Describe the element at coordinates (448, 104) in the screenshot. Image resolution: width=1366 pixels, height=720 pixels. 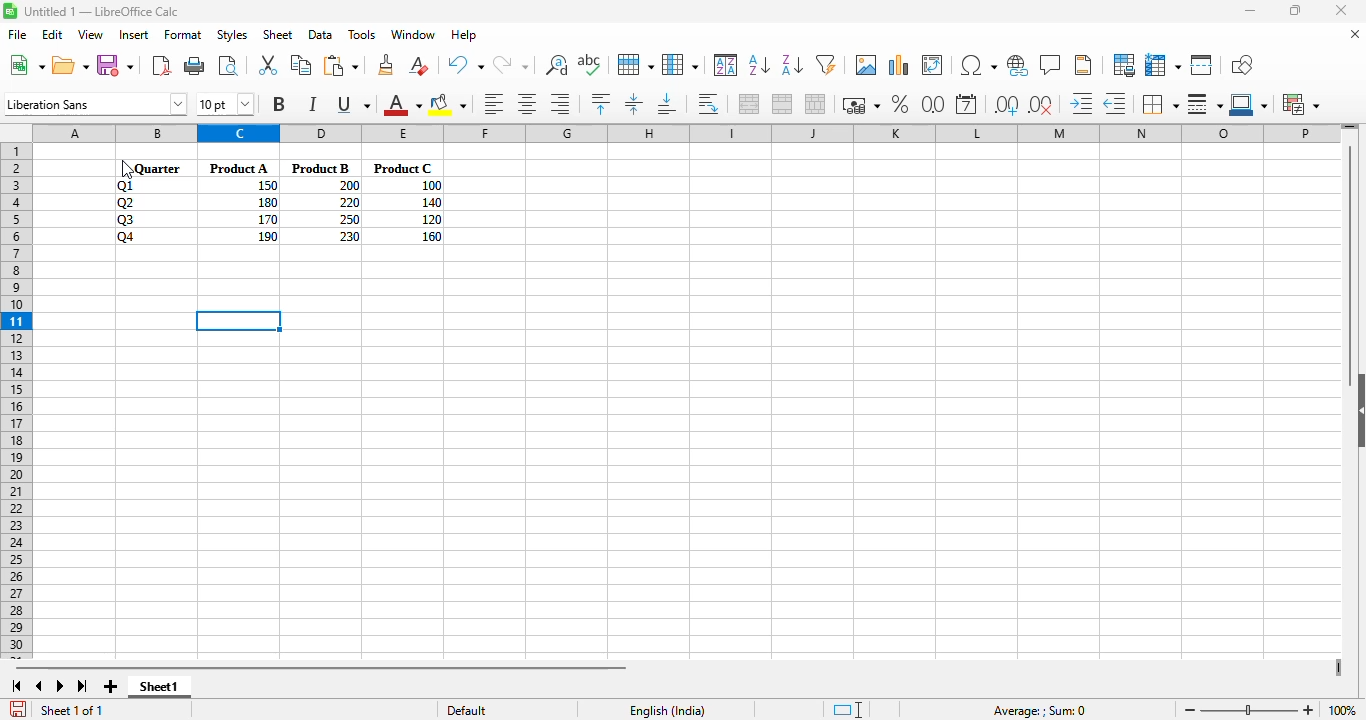
I see `background color` at that location.